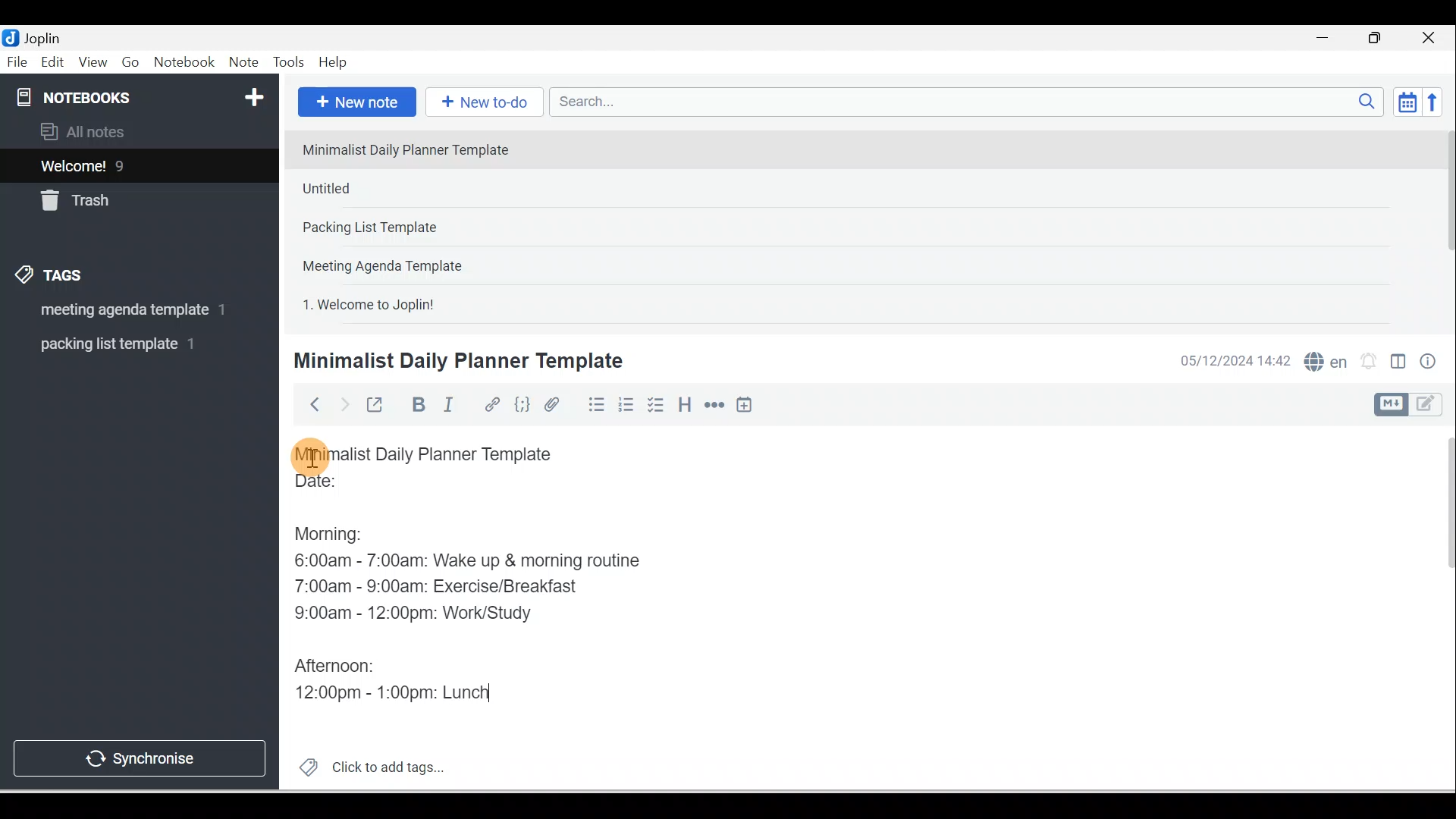 This screenshot has height=819, width=1456. Describe the element at coordinates (93, 63) in the screenshot. I see `View` at that location.